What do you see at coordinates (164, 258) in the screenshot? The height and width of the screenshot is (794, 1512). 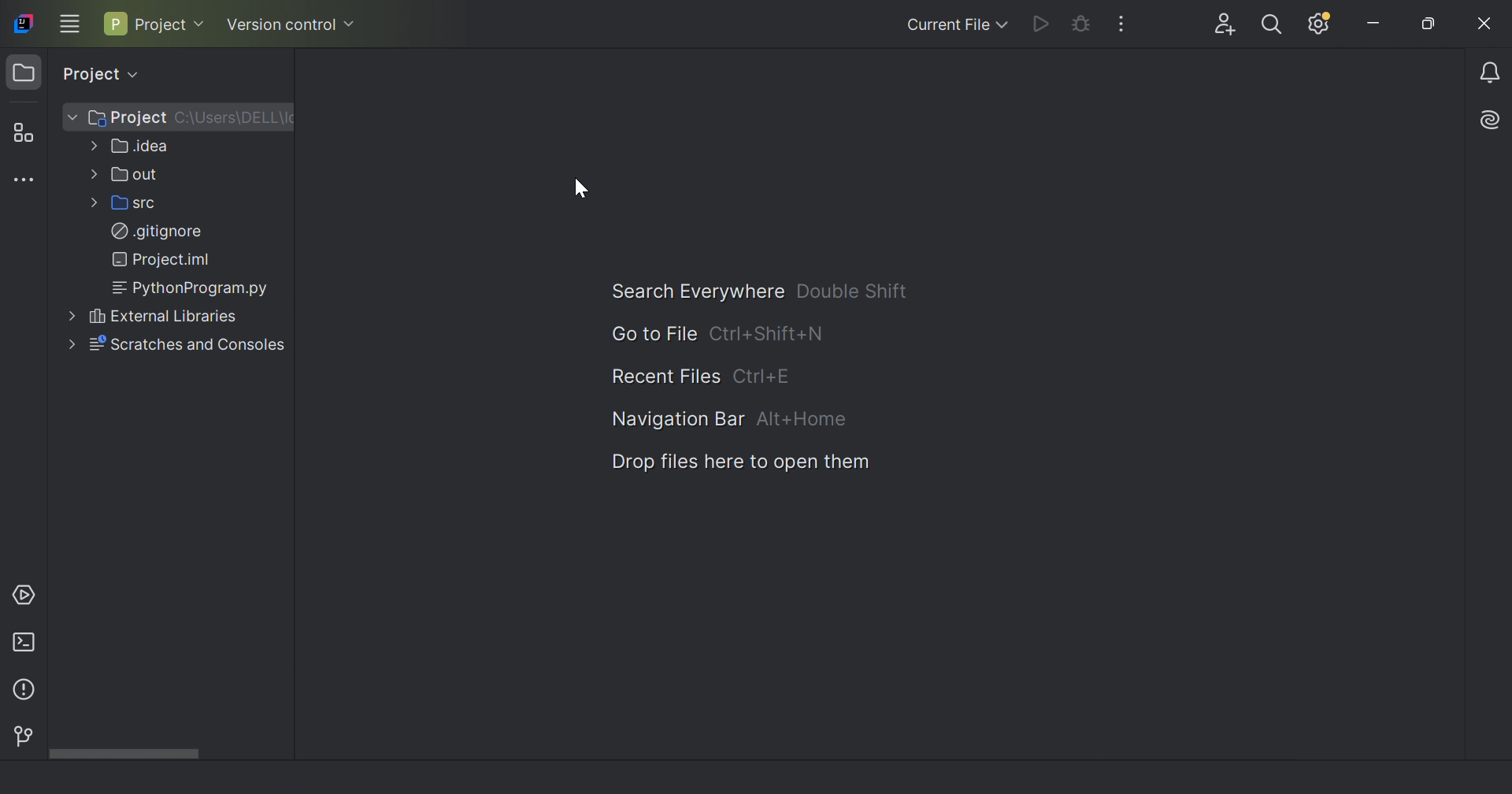 I see `Project.iml` at bounding box center [164, 258].